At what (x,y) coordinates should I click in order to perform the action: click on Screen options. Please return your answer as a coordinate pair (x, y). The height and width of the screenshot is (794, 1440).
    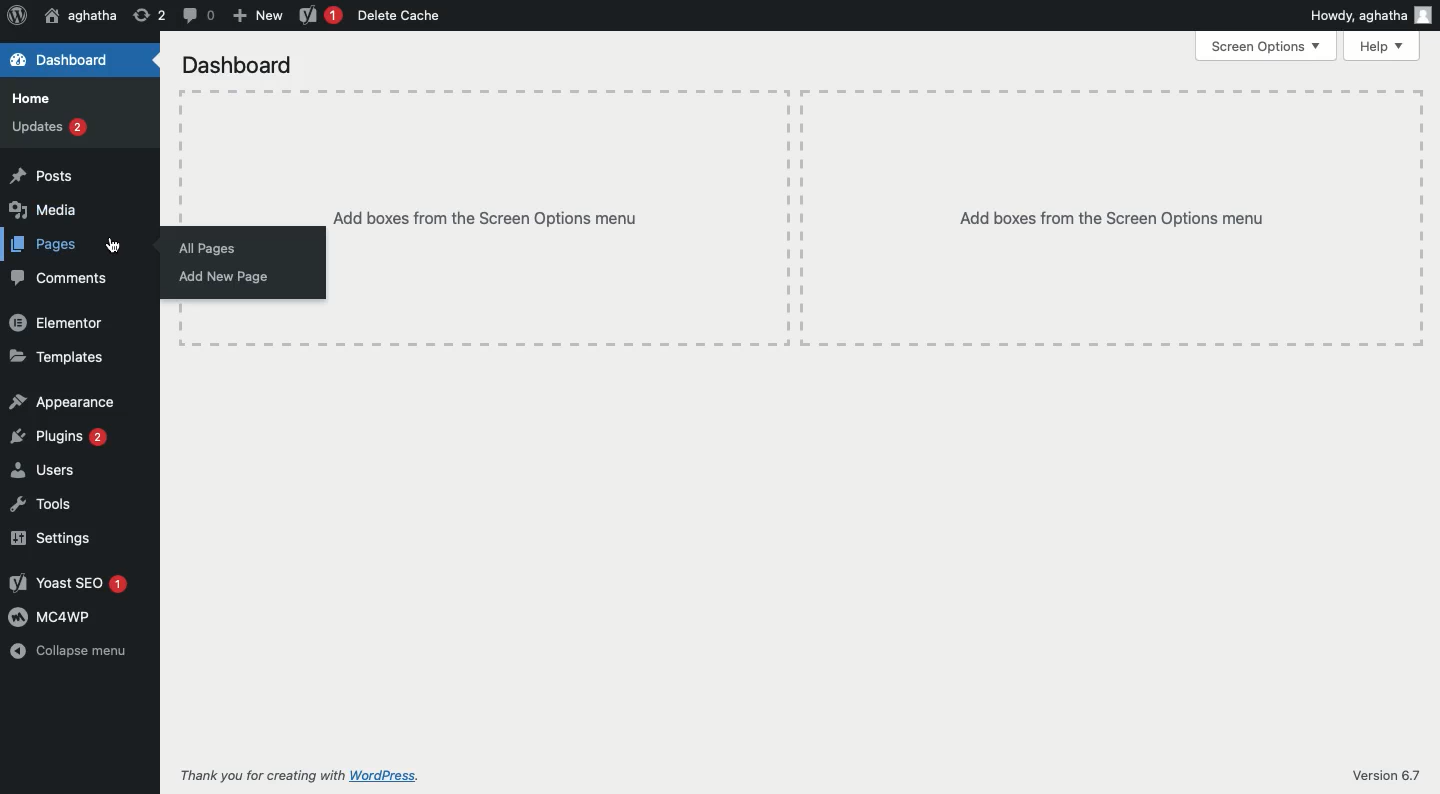
    Looking at the image, I should click on (1268, 46).